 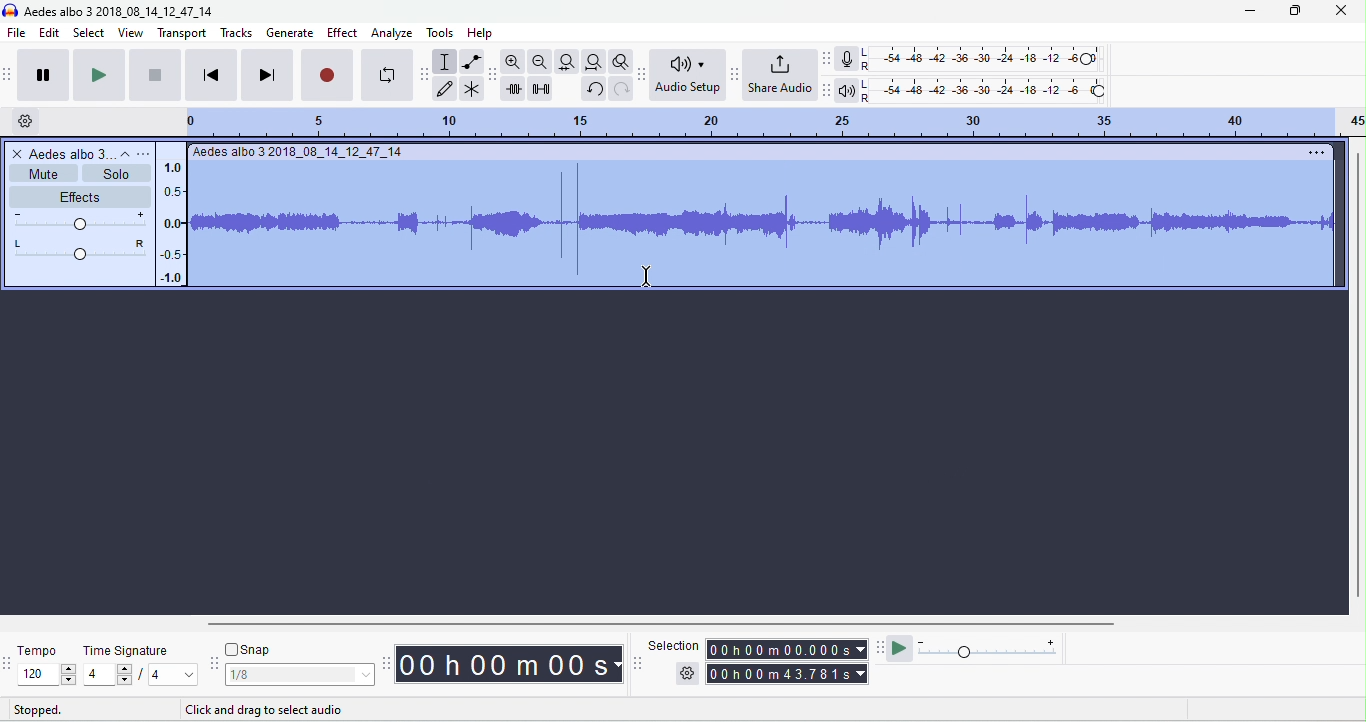 What do you see at coordinates (211, 75) in the screenshot?
I see `skip to start` at bounding box center [211, 75].